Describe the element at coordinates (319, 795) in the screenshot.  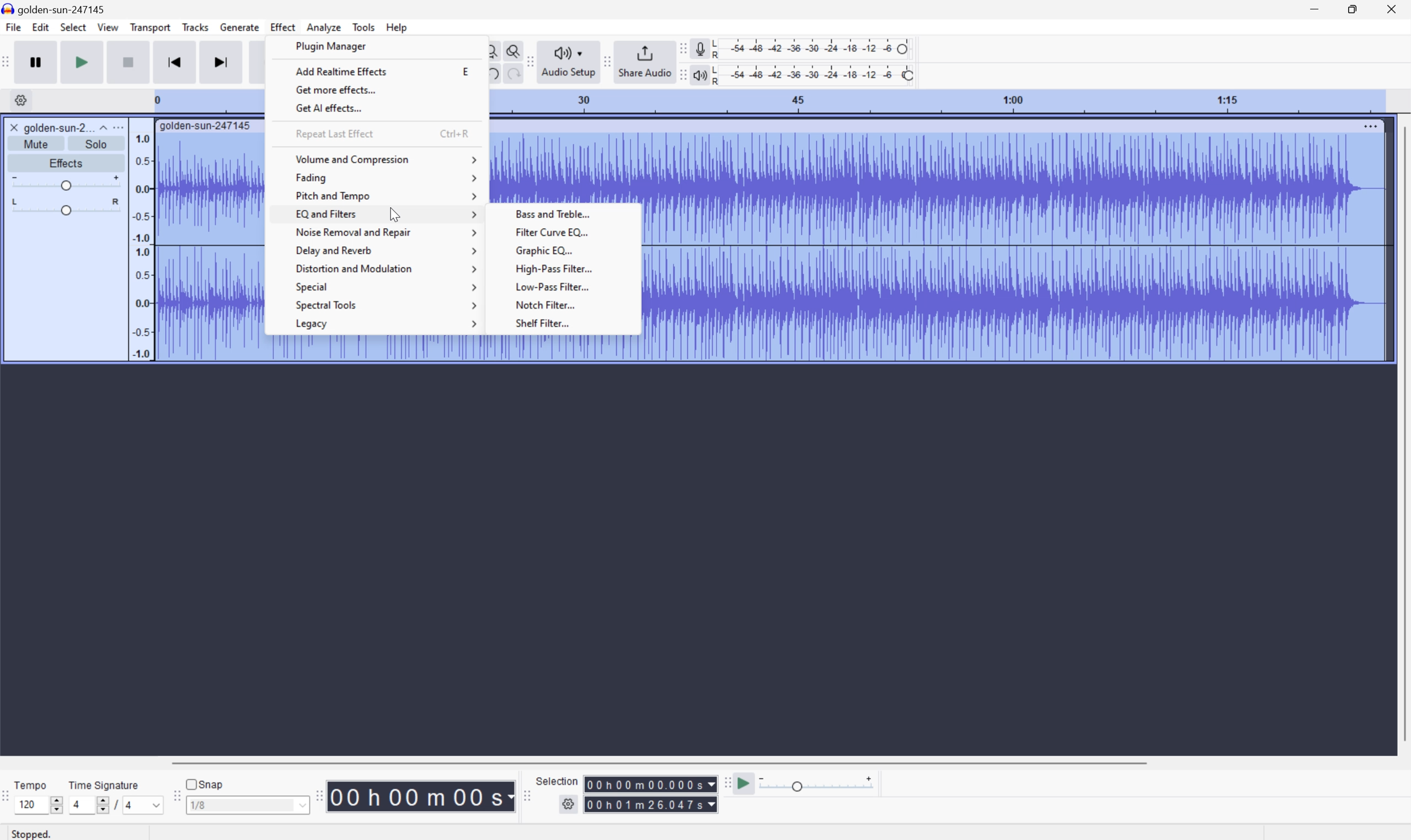
I see `Audacity toolbar` at that location.